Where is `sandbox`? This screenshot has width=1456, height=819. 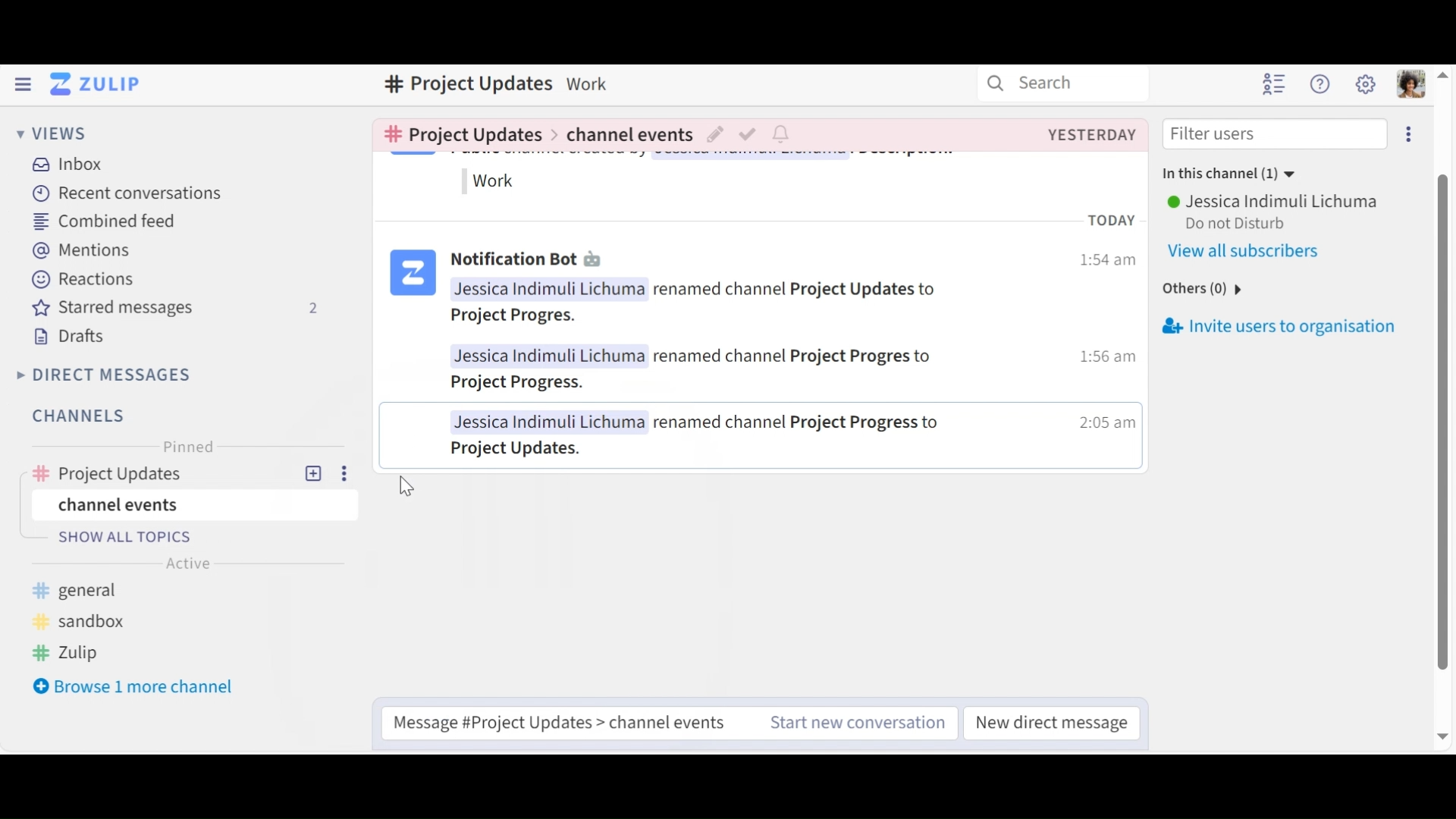
sandbox is located at coordinates (81, 621).